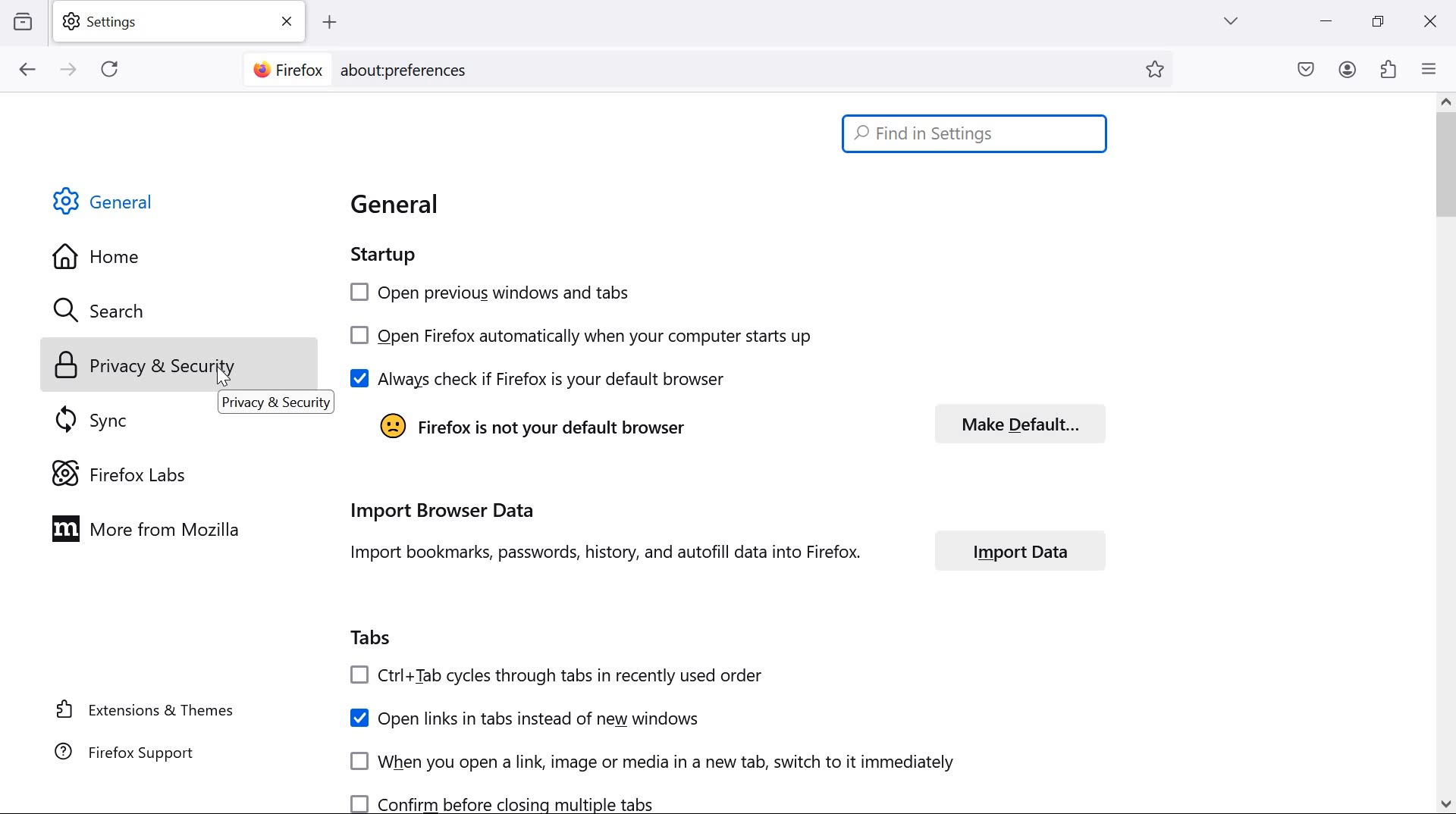  Describe the element at coordinates (1306, 70) in the screenshot. I see `save to pocket` at that location.